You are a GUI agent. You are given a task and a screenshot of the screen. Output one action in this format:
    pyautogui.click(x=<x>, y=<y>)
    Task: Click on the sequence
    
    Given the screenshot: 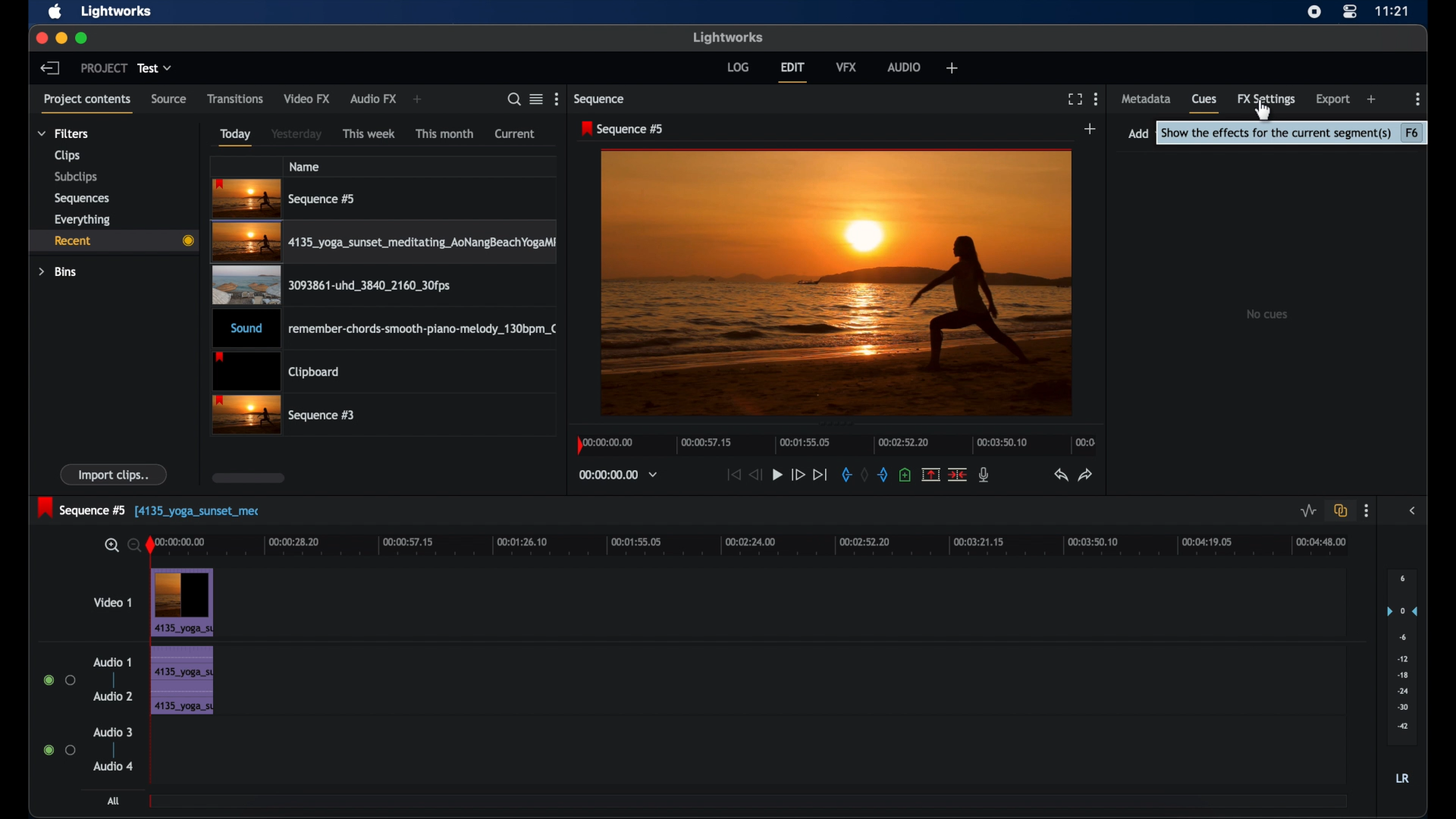 What is the action you would take?
    pyautogui.click(x=601, y=99)
    